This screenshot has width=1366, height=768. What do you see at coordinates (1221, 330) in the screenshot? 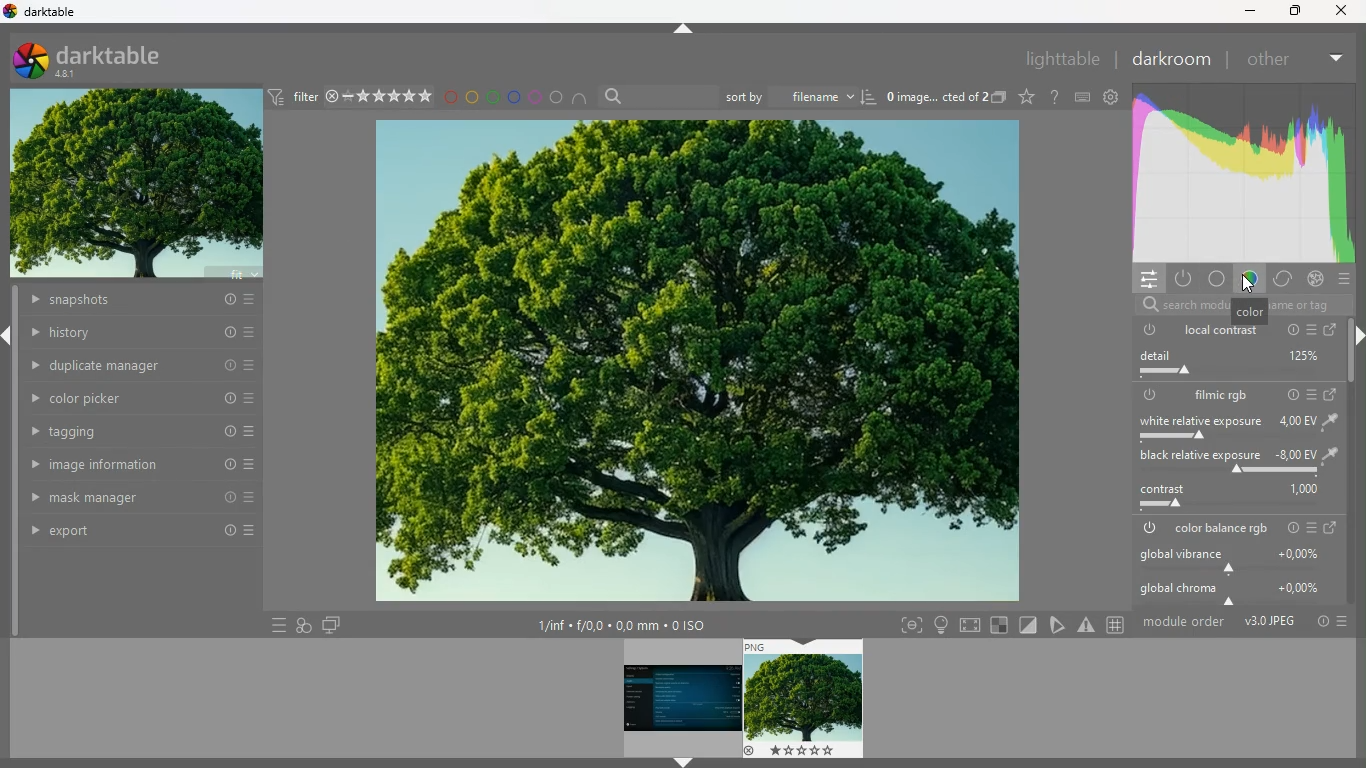
I see `local contrast` at bounding box center [1221, 330].